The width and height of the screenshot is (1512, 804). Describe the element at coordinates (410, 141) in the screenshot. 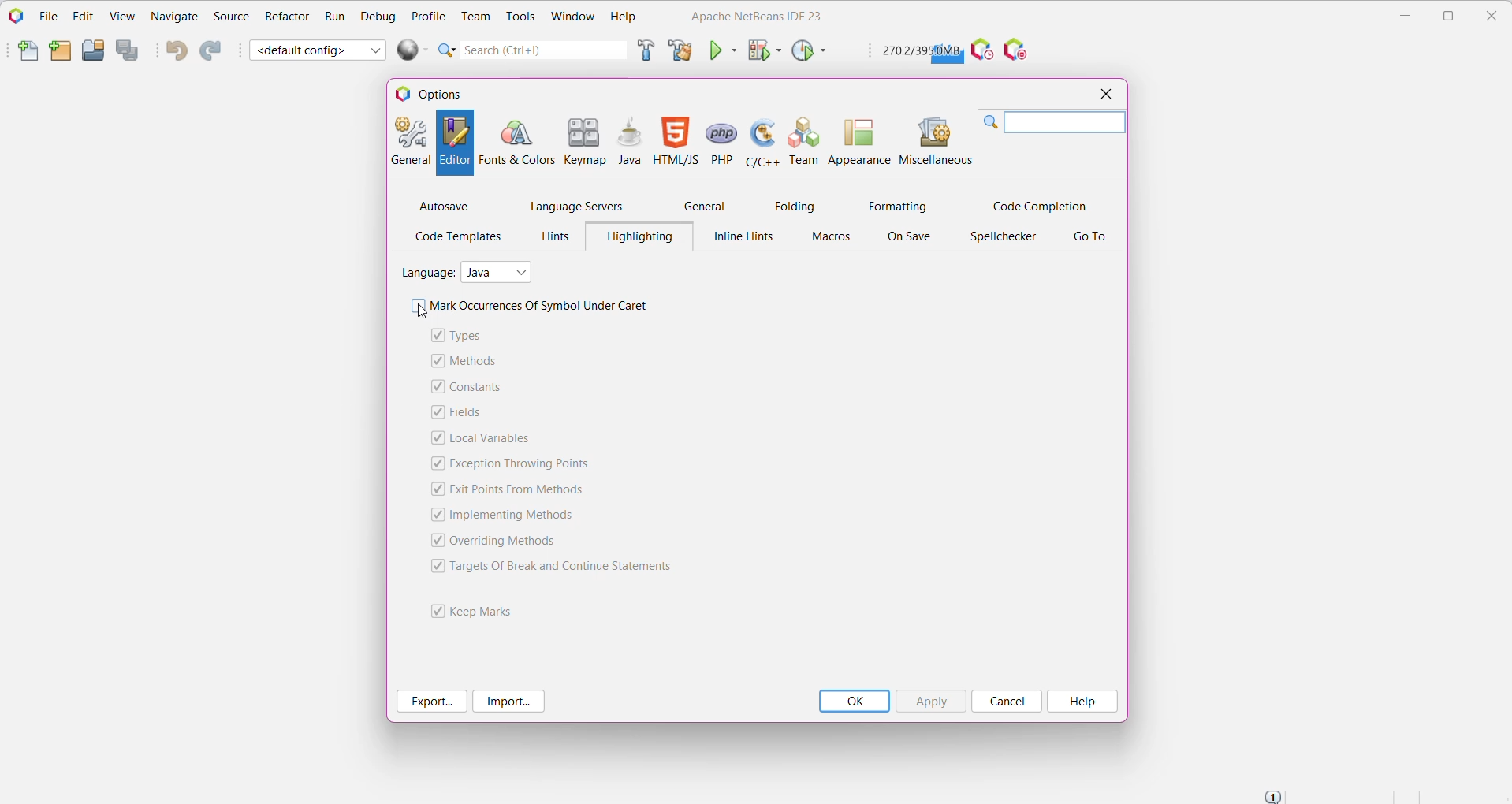

I see `General` at that location.